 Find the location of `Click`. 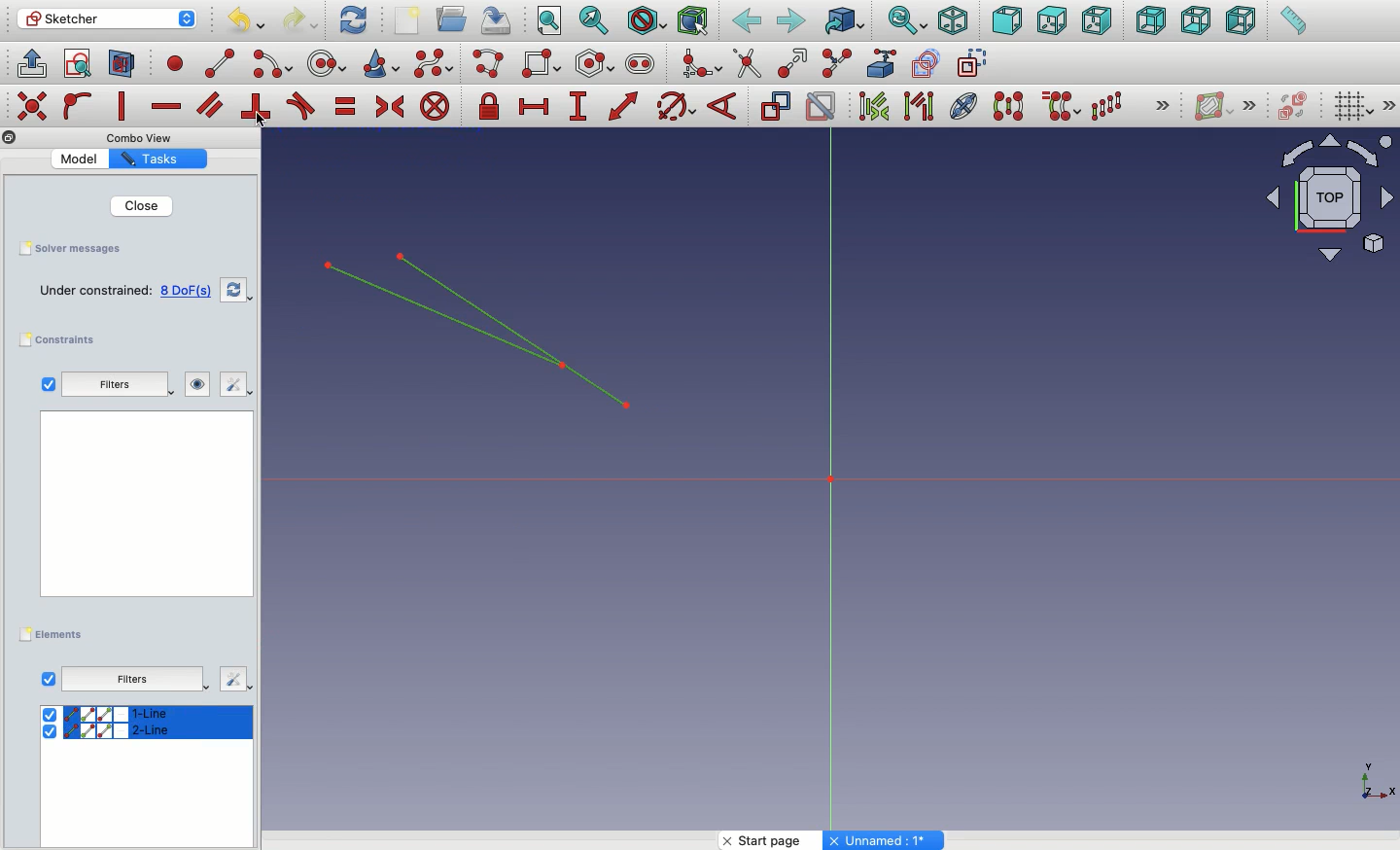

Click is located at coordinates (262, 120).